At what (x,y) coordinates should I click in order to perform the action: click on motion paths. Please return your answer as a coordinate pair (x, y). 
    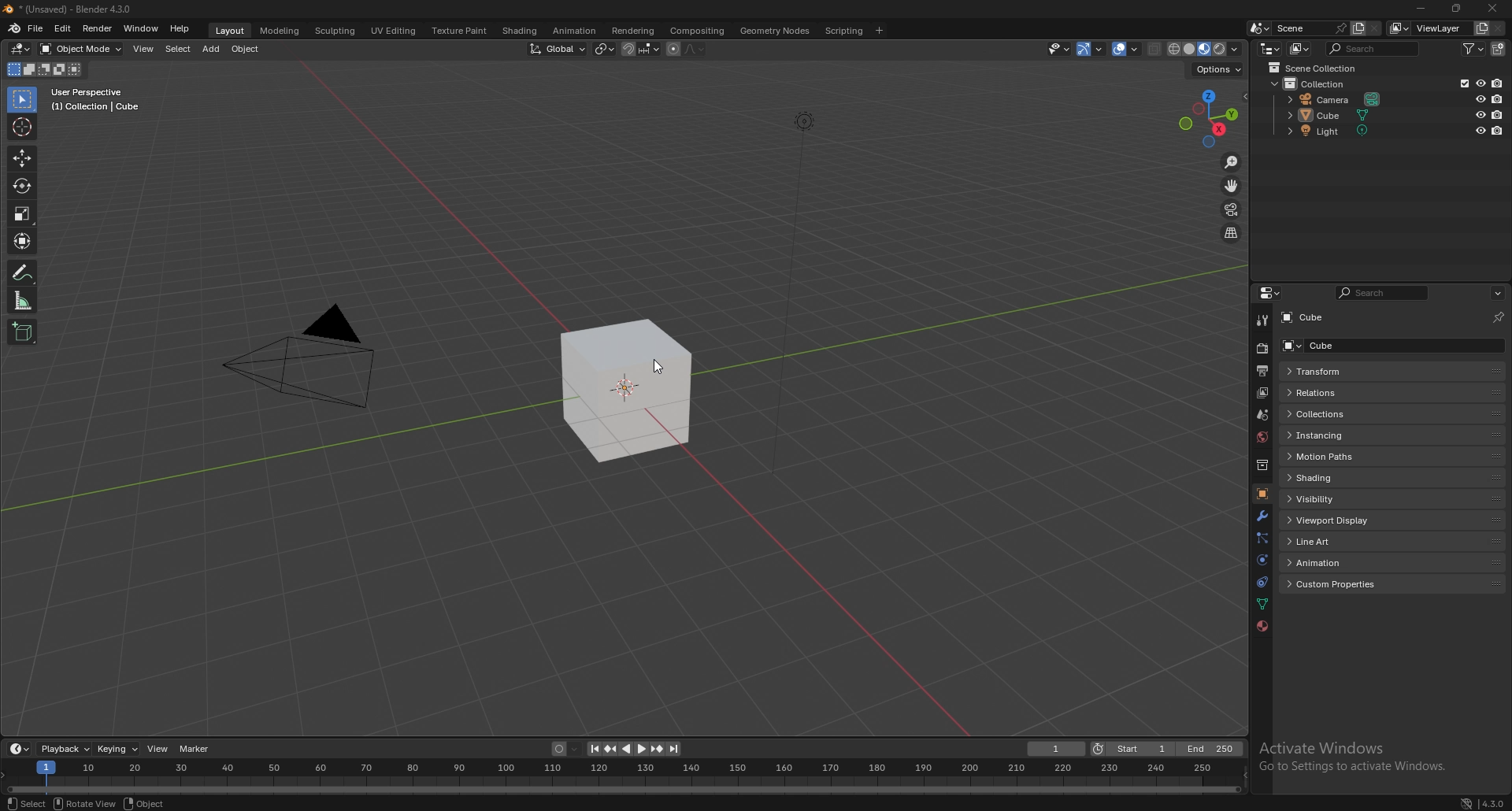
    Looking at the image, I should click on (1337, 457).